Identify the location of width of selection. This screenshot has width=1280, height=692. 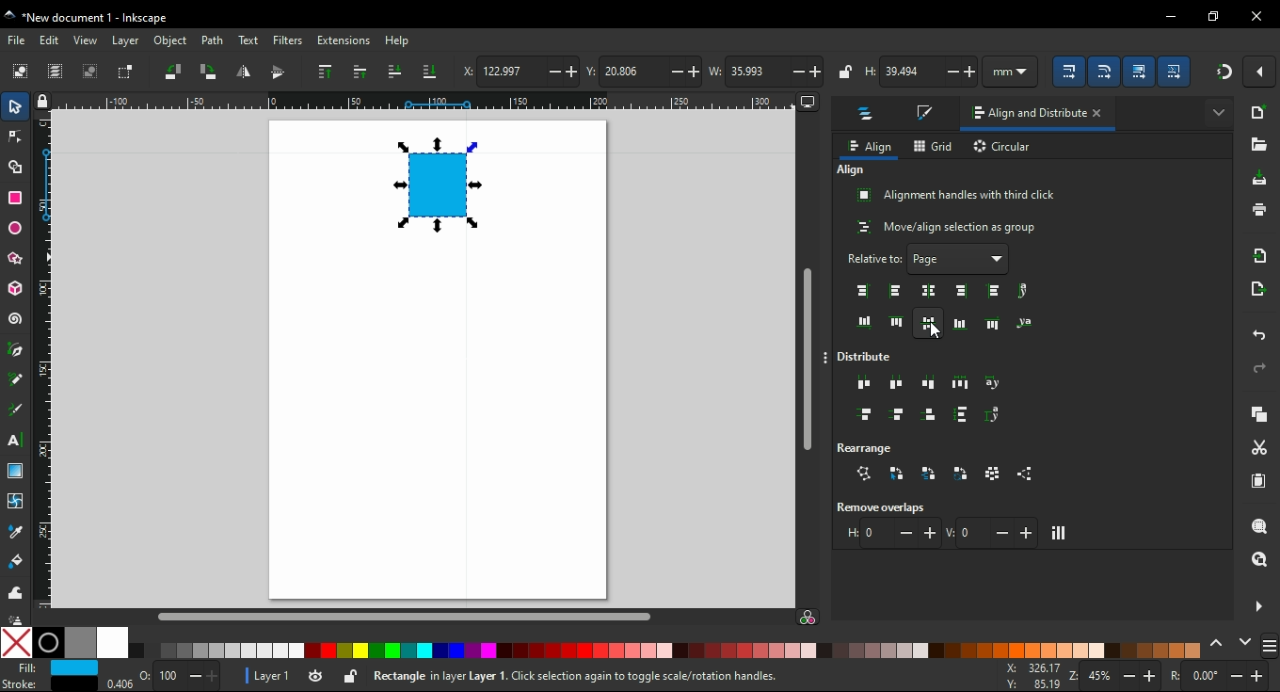
(766, 71).